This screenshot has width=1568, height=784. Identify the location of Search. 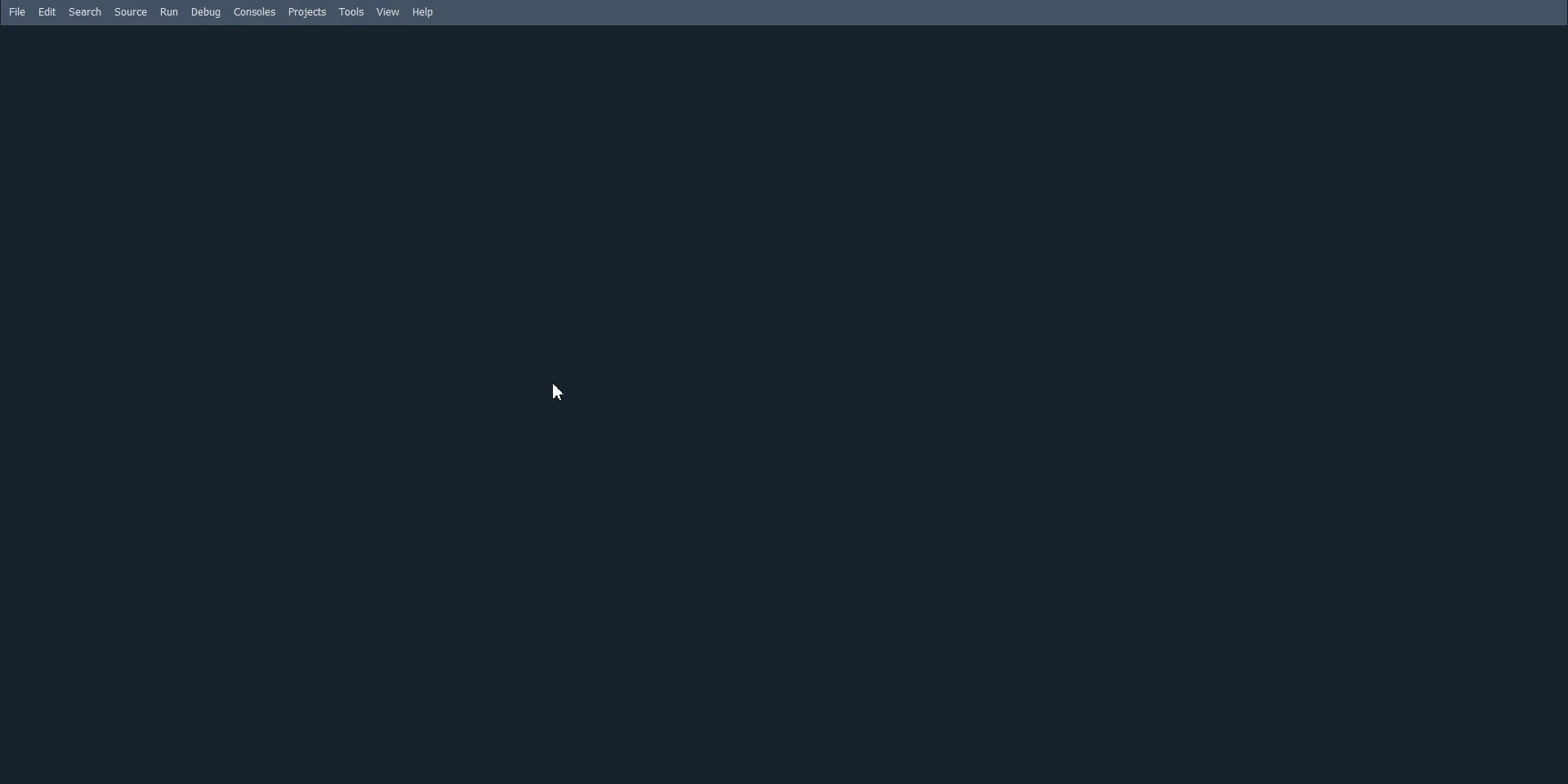
(86, 12).